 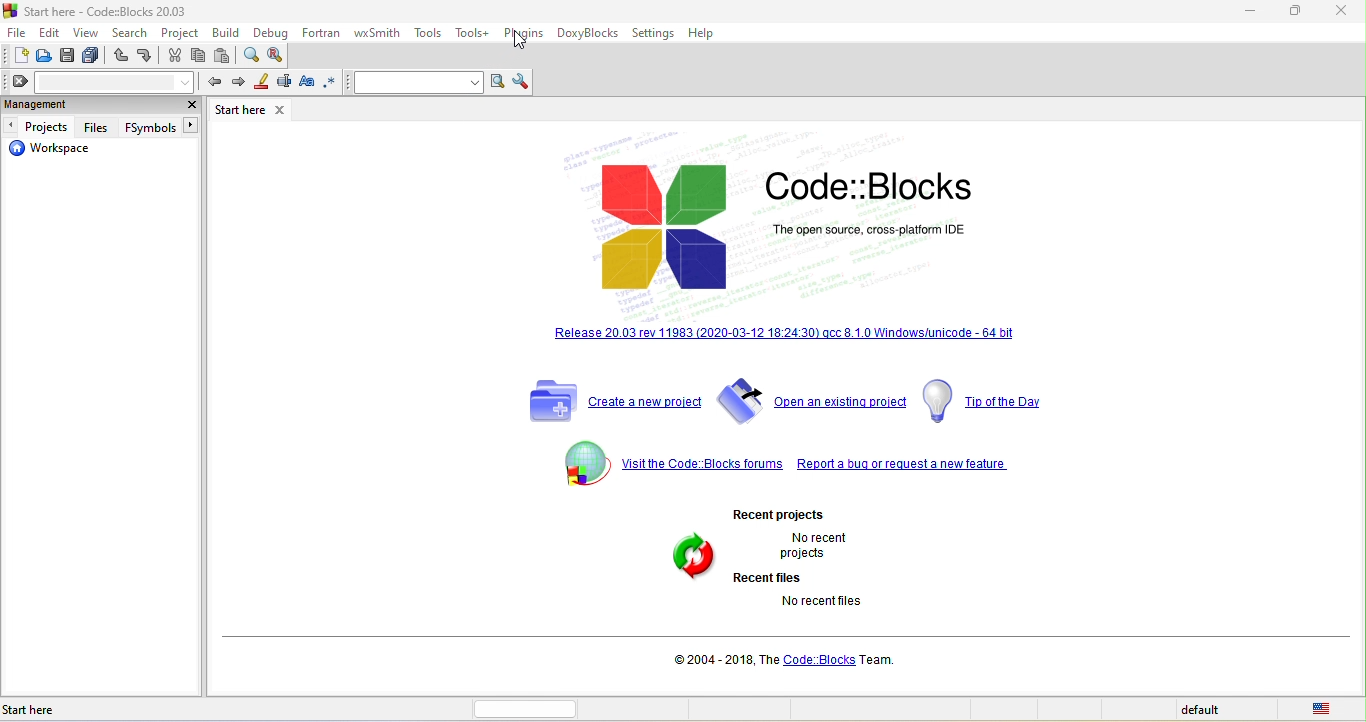 What do you see at coordinates (127, 32) in the screenshot?
I see `search` at bounding box center [127, 32].